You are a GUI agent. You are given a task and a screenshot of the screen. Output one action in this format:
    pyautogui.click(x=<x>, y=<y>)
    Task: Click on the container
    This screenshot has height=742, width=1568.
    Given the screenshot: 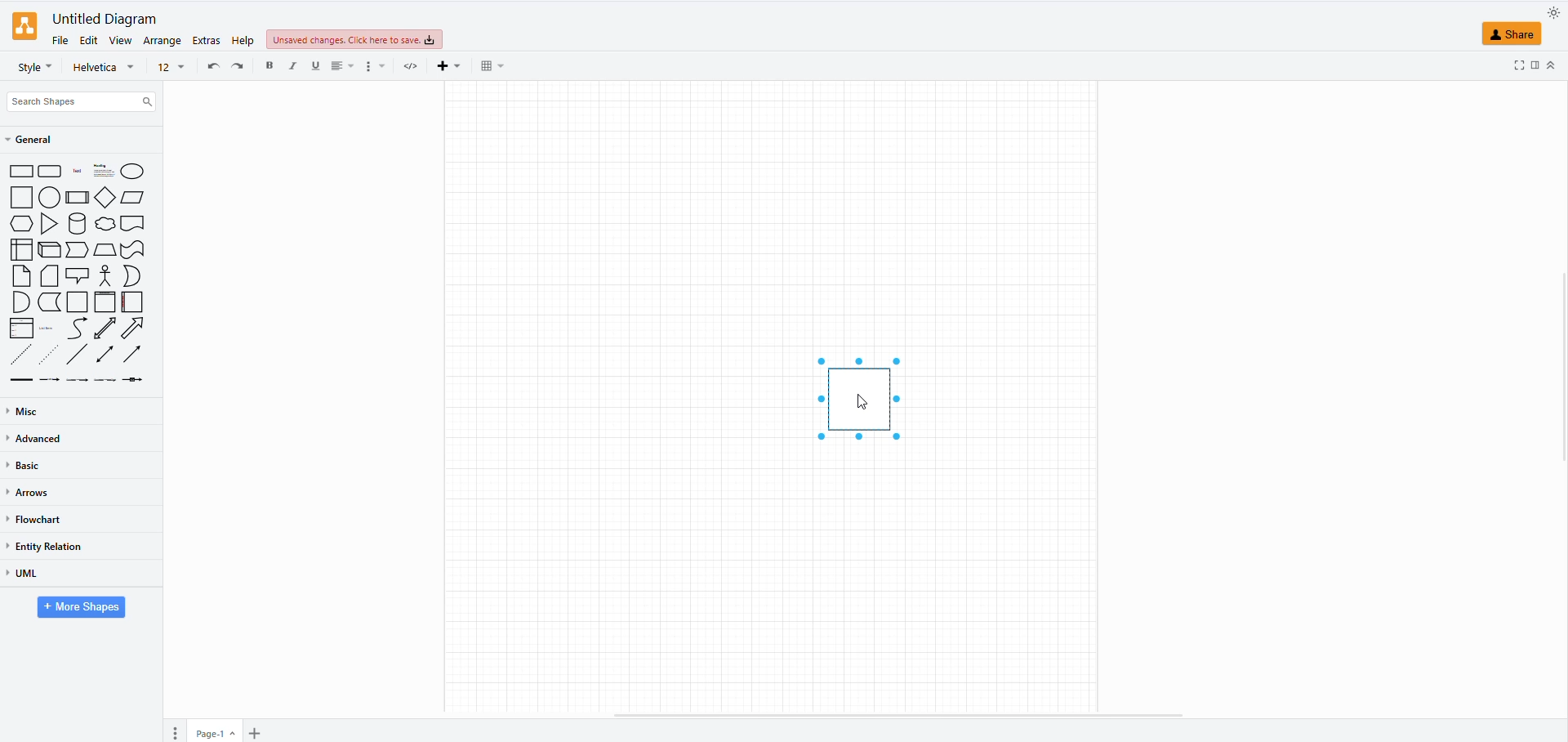 What is the action you would take?
    pyautogui.click(x=78, y=302)
    